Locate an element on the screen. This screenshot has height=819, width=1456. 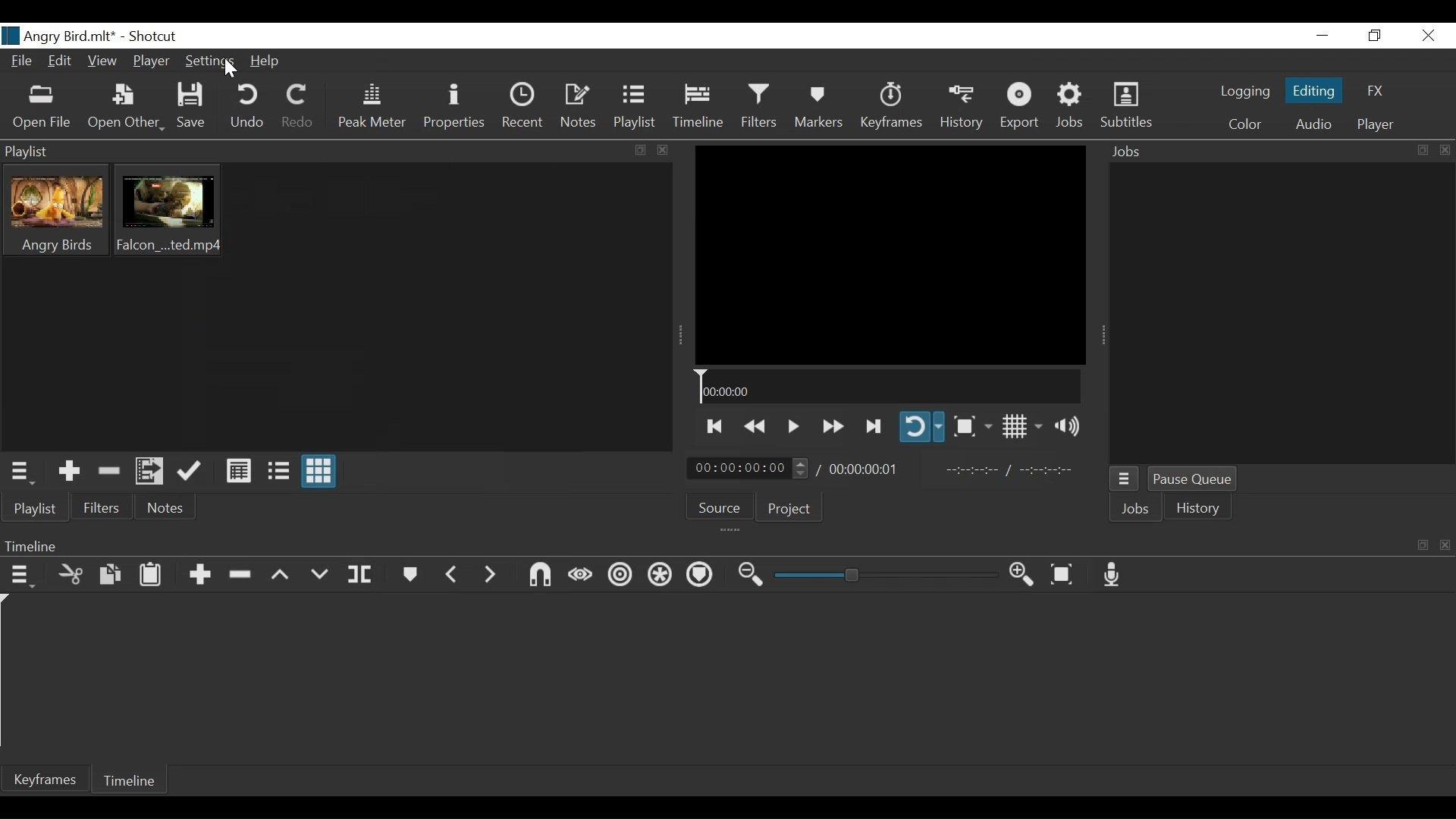
Properties is located at coordinates (454, 109).